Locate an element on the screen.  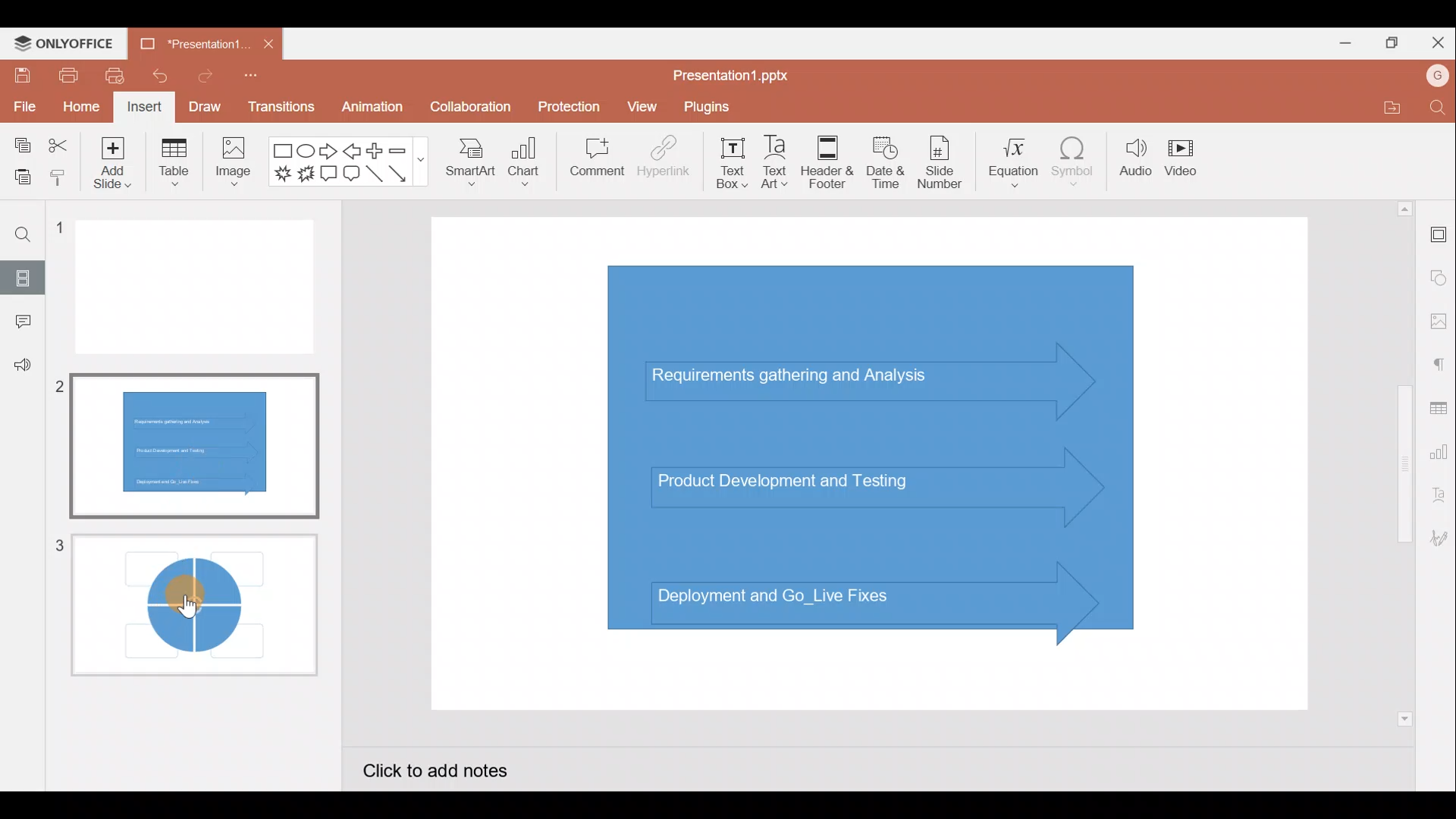
Plugins is located at coordinates (714, 108).